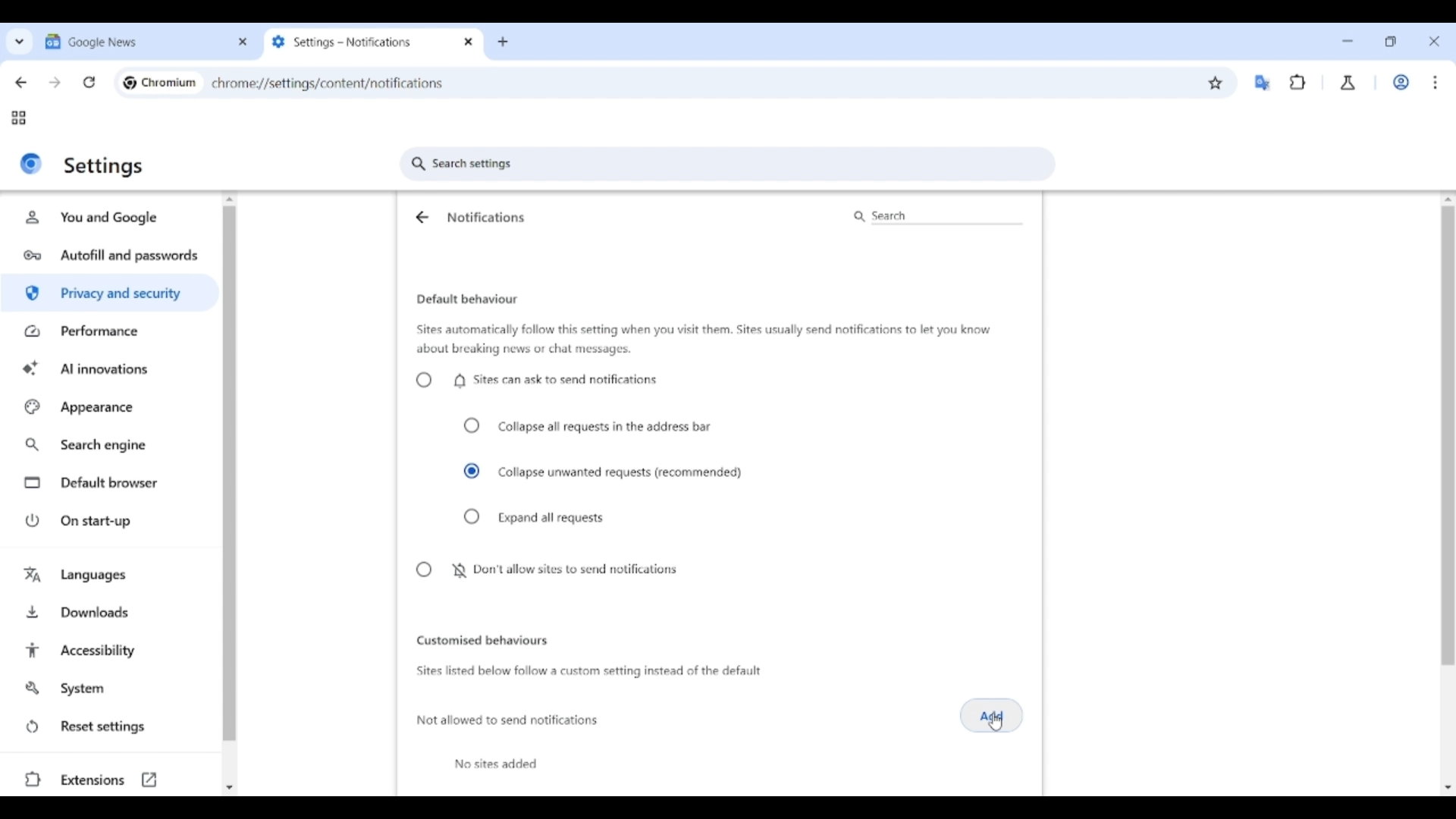  What do you see at coordinates (1390, 42) in the screenshot?
I see `Show interface in a smaller tab` at bounding box center [1390, 42].